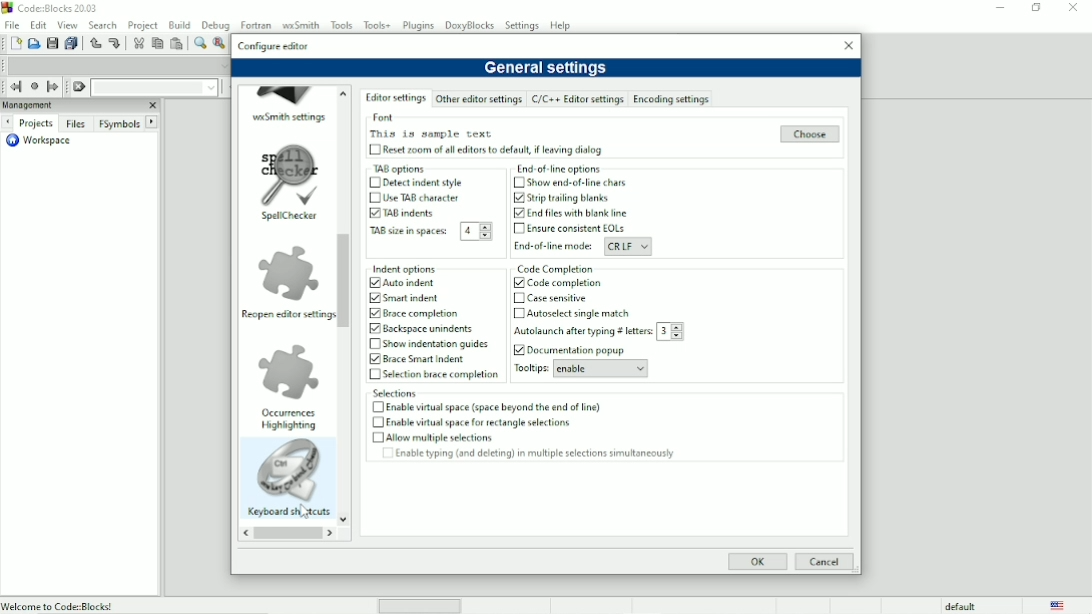 The height and width of the screenshot is (614, 1092). Describe the element at coordinates (757, 562) in the screenshot. I see `OK` at that location.